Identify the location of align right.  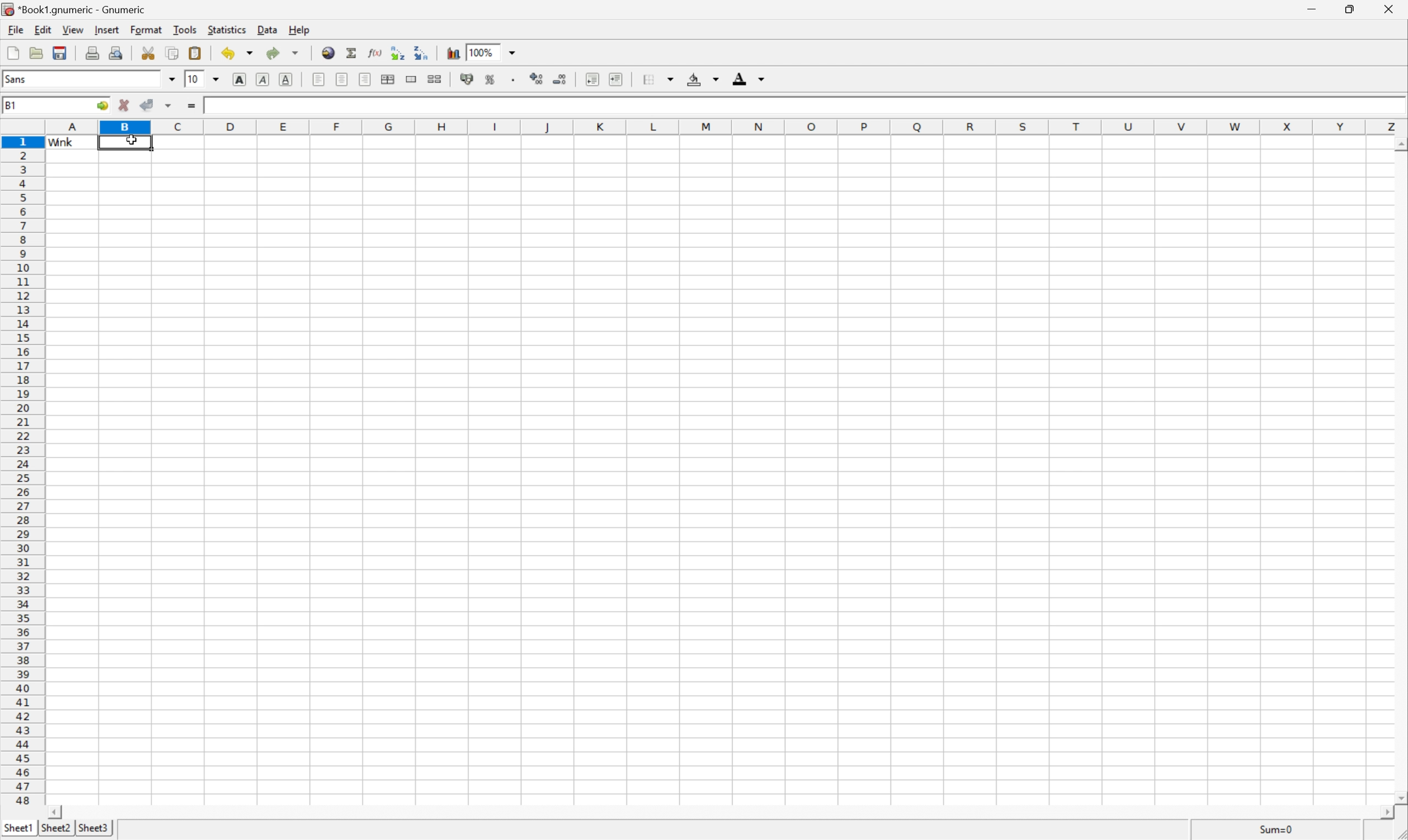
(365, 79).